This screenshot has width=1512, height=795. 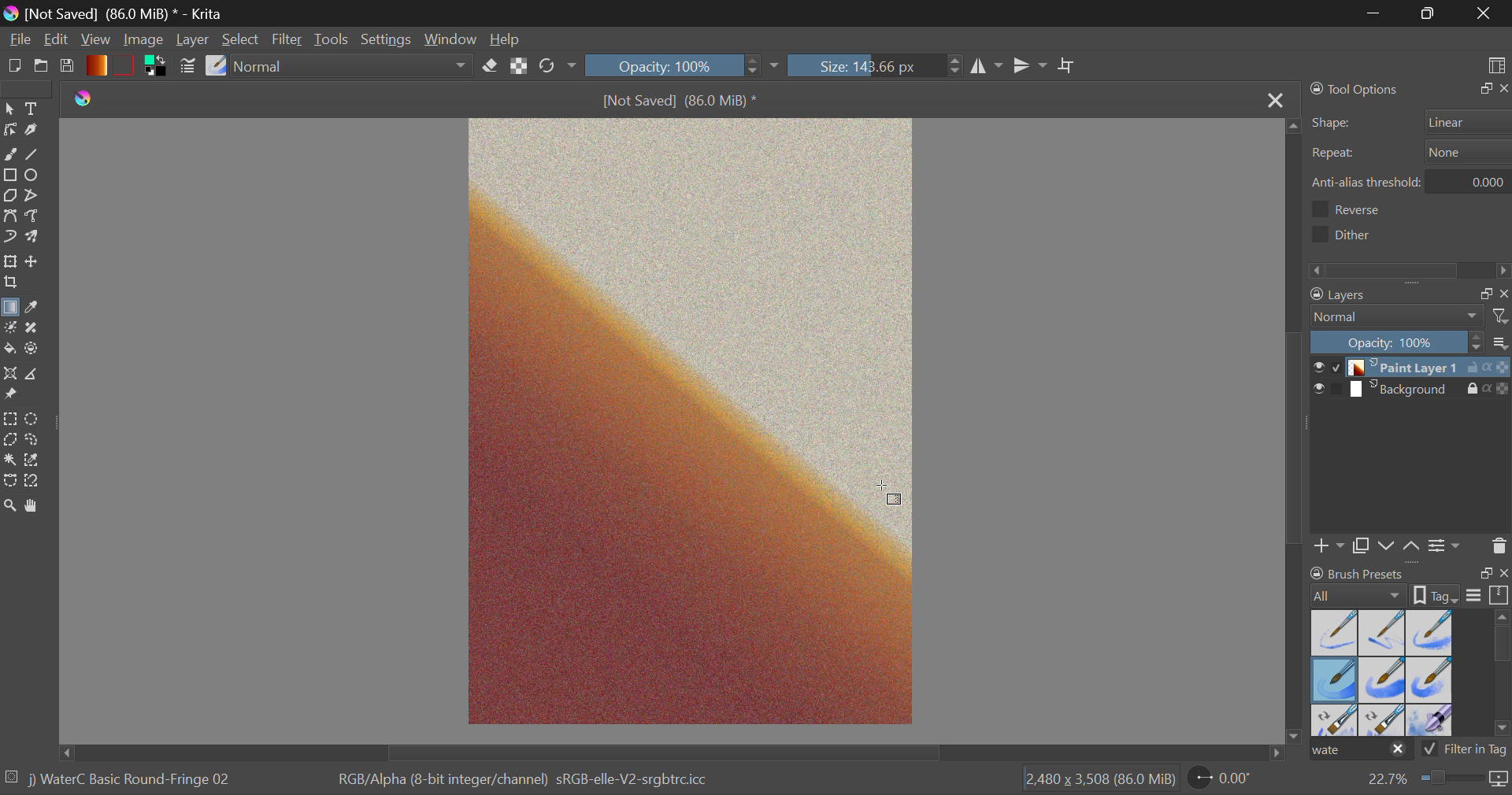 What do you see at coordinates (36, 442) in the screenshot?
I see `Freehand Selection` at bounding box center [36, 442].